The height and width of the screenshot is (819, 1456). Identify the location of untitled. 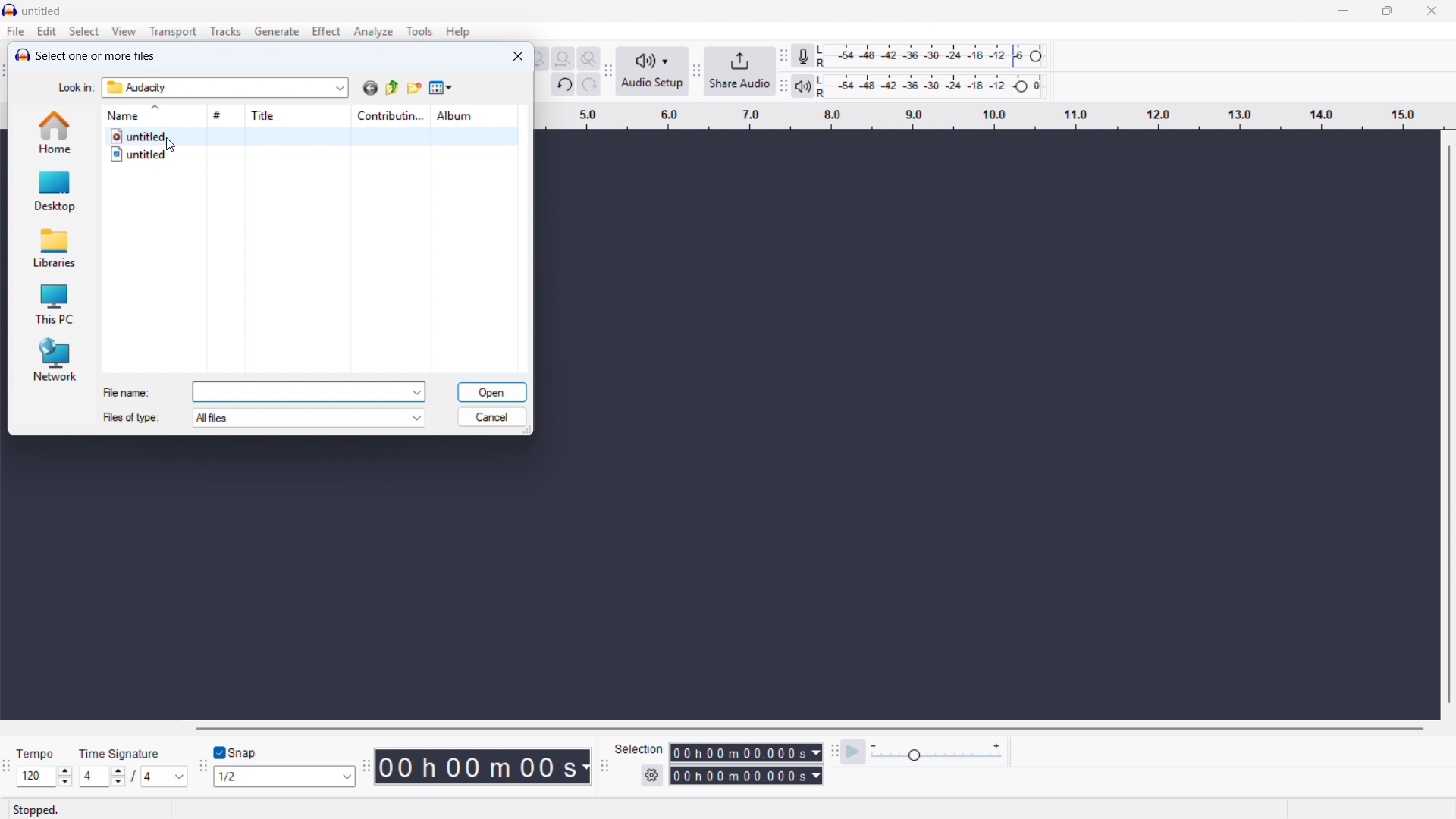
(42, 12).